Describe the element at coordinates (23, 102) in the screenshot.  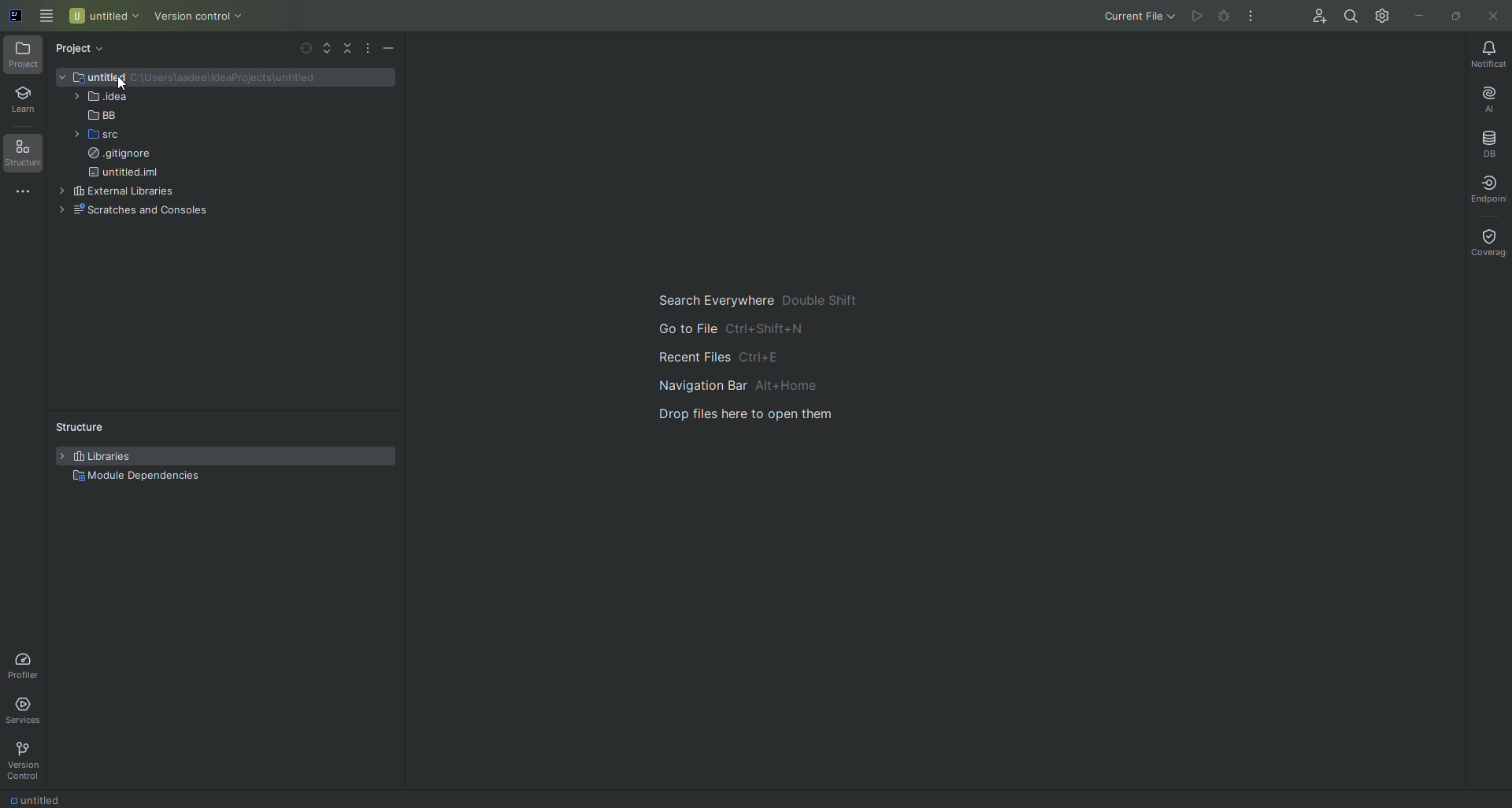
I see `Learn` at that location.